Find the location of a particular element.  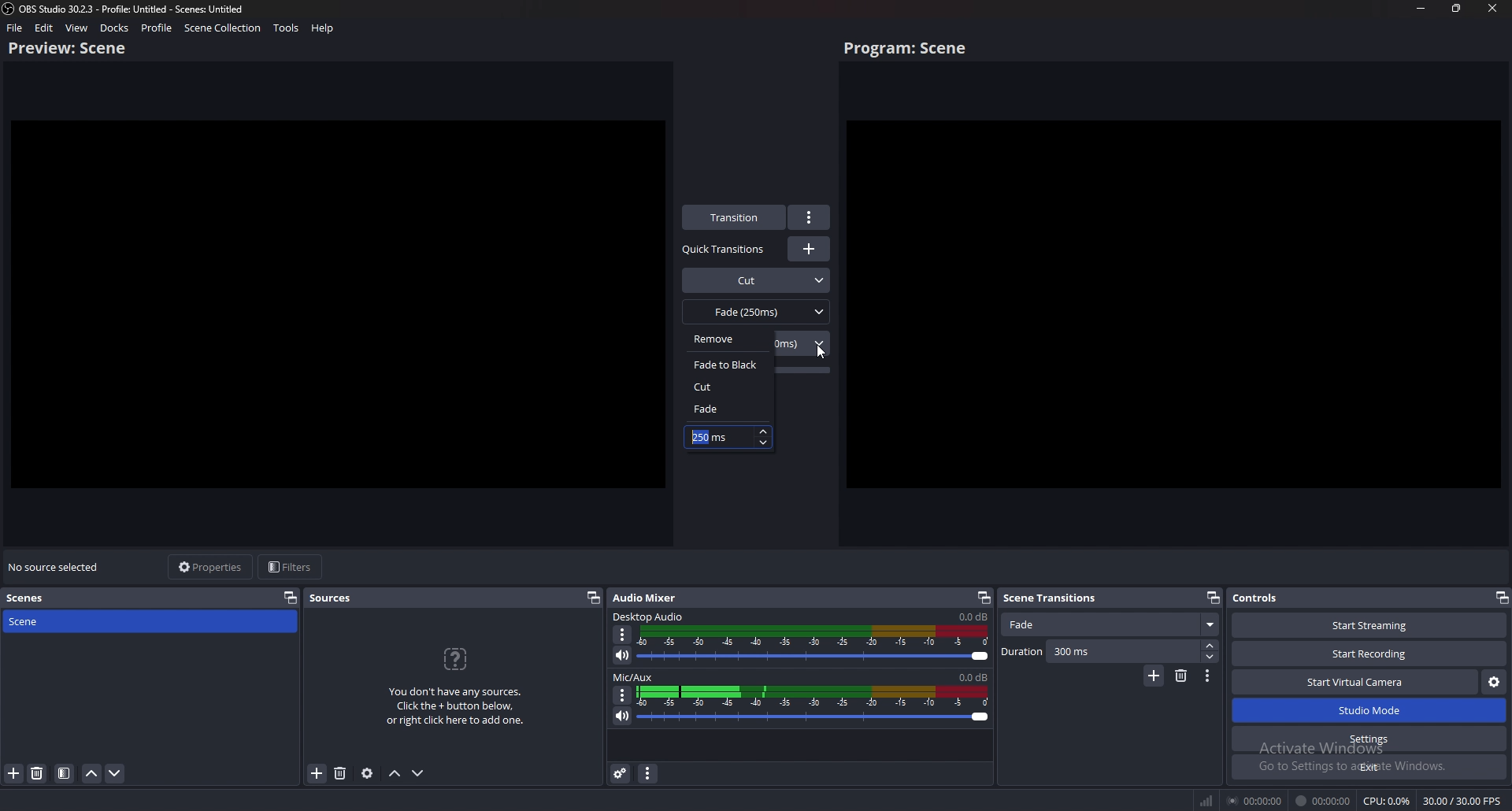

decrease fade timer is located at coordinates (763, 443).